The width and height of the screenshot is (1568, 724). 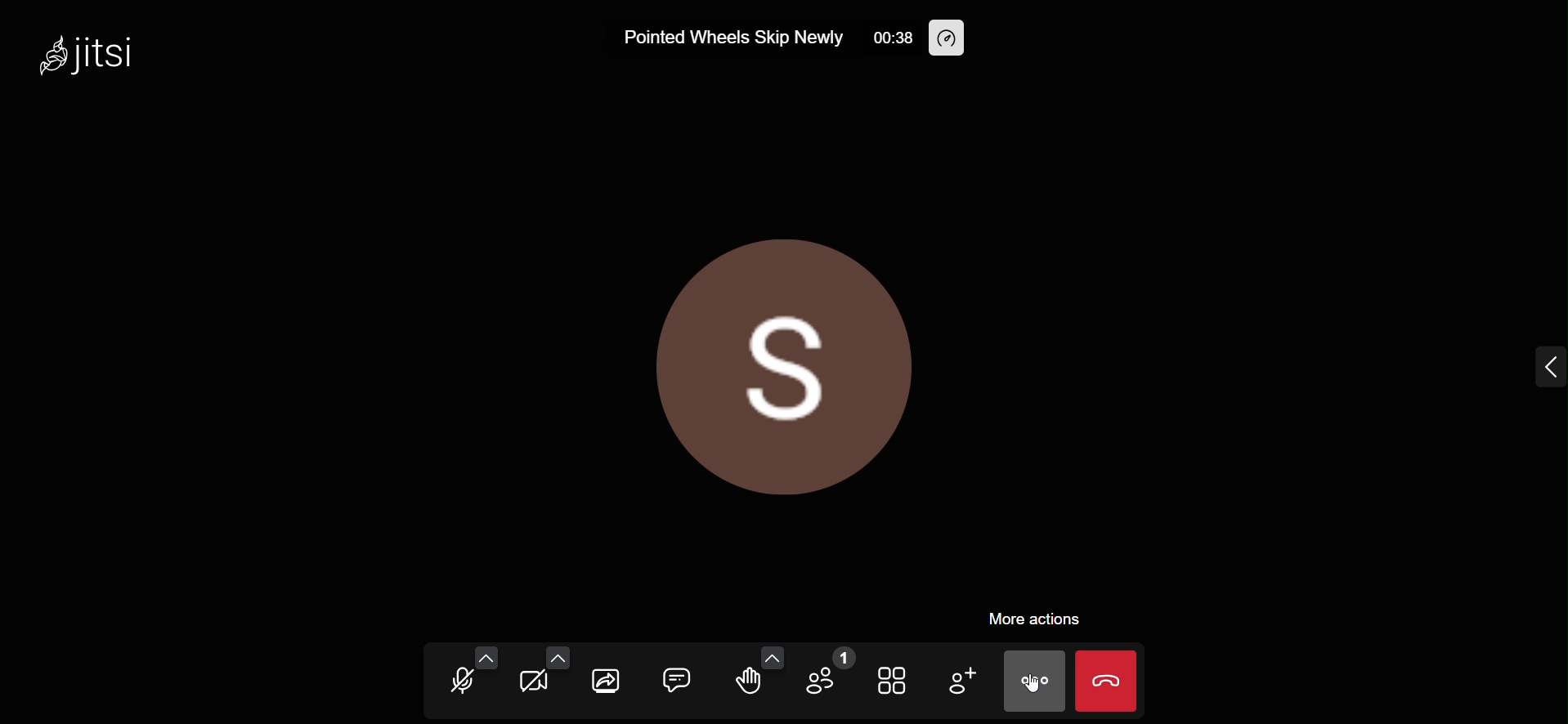 What do you see at coordinates (112, 60) in the screenshot?
I see `Jitsi` at bounding box center [112, 60].